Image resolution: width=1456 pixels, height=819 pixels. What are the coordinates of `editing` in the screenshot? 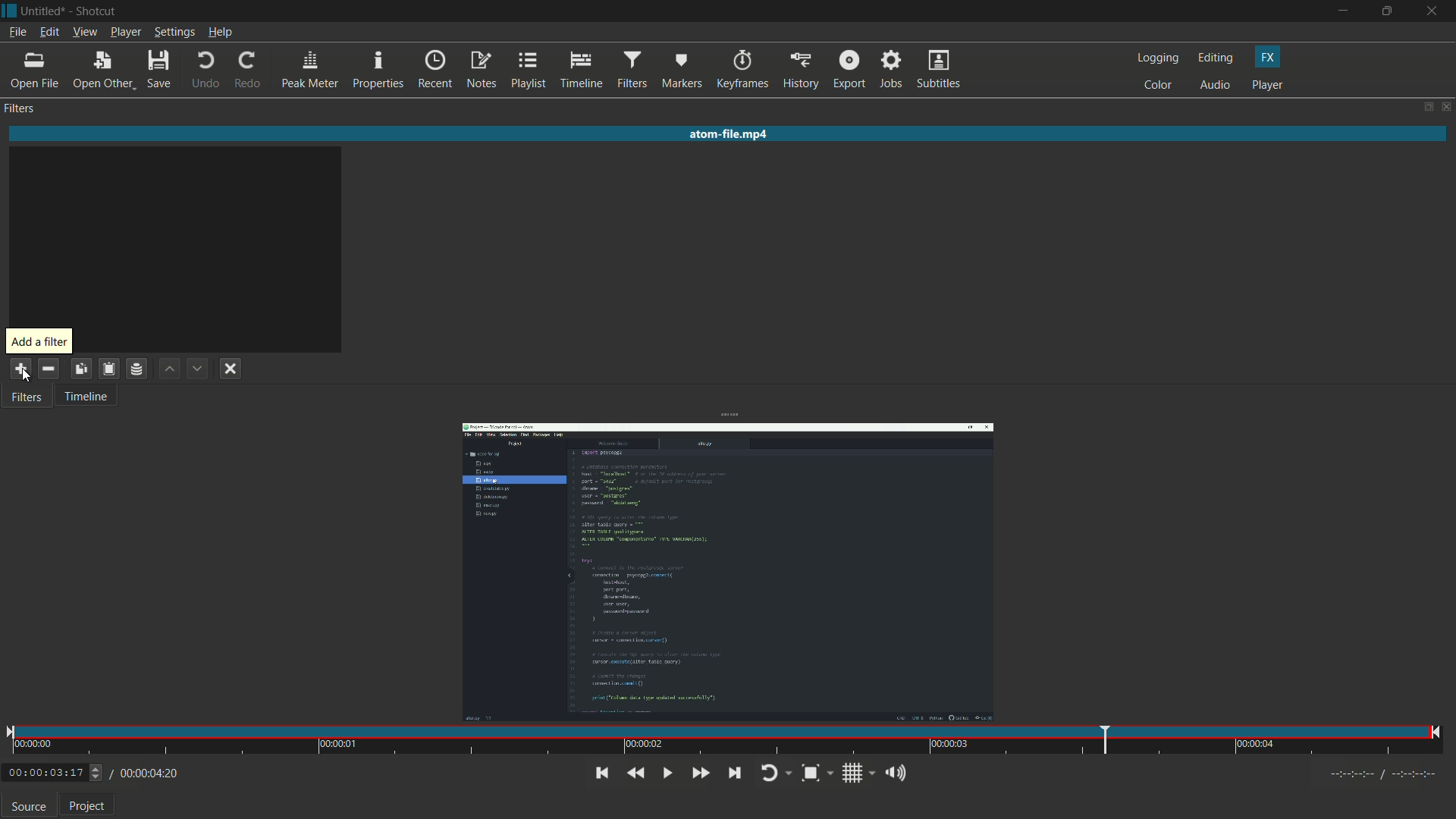 It's located at (1216, 59).